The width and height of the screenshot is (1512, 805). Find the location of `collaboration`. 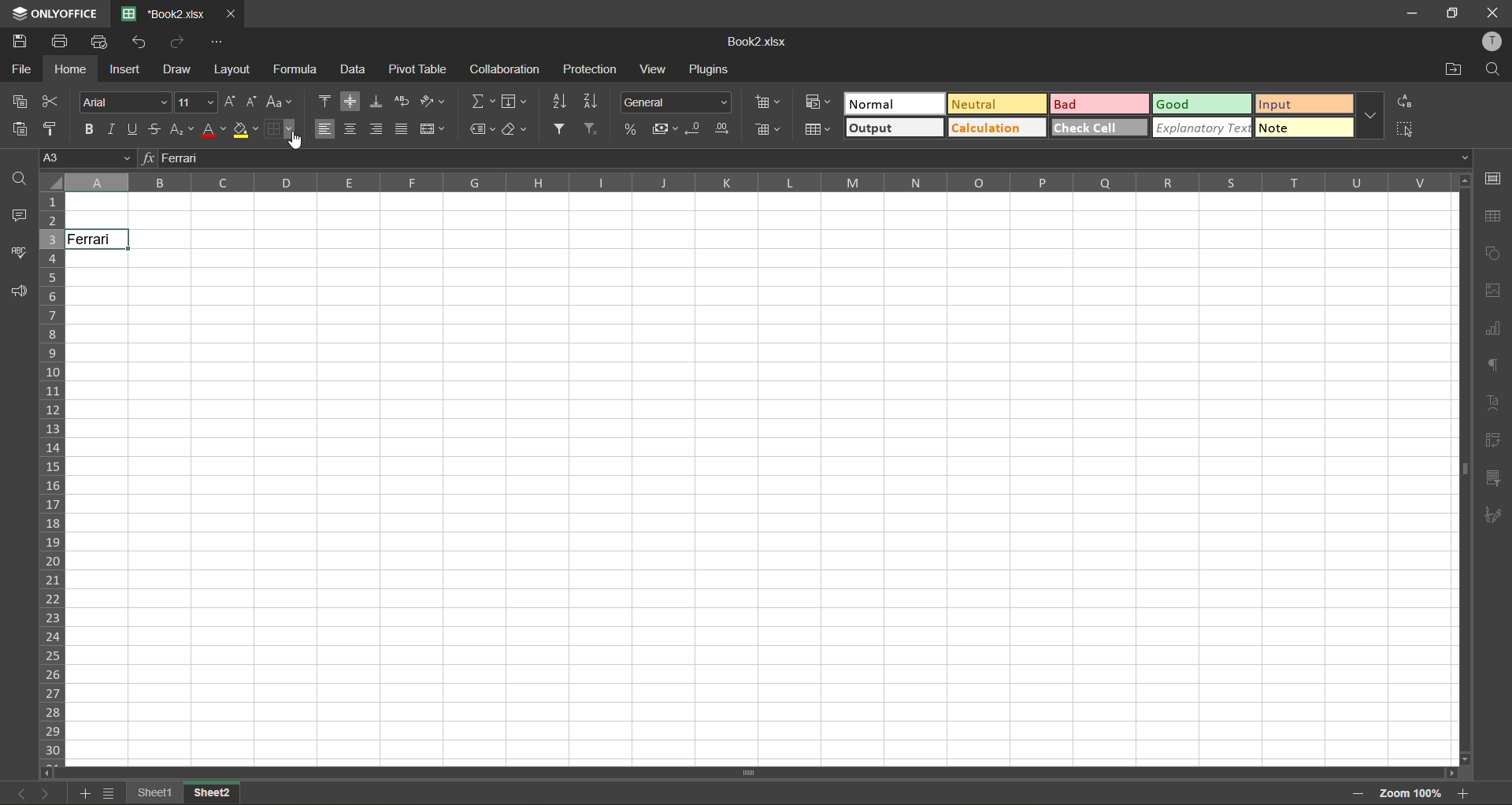

collaboration is located at coordinates (506, 69).